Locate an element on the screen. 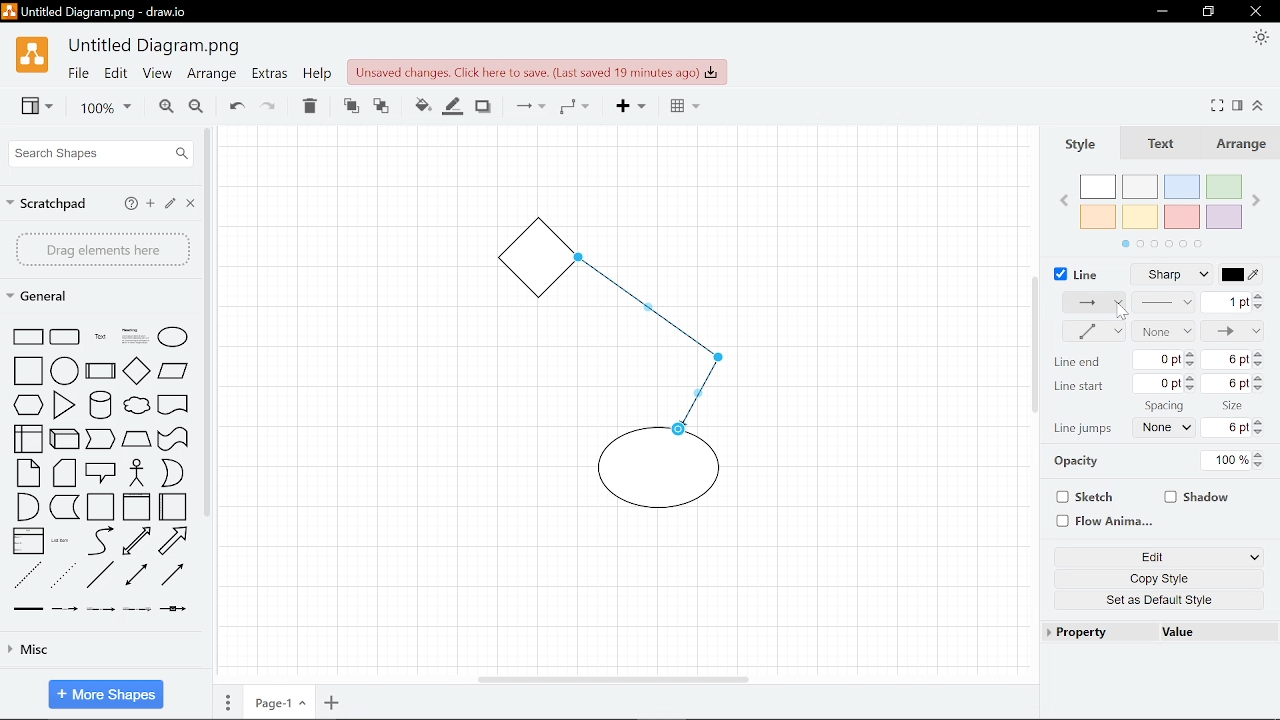 The image size is (1280, 720). Decrease line jumps is located at coordinates (1263, 434).